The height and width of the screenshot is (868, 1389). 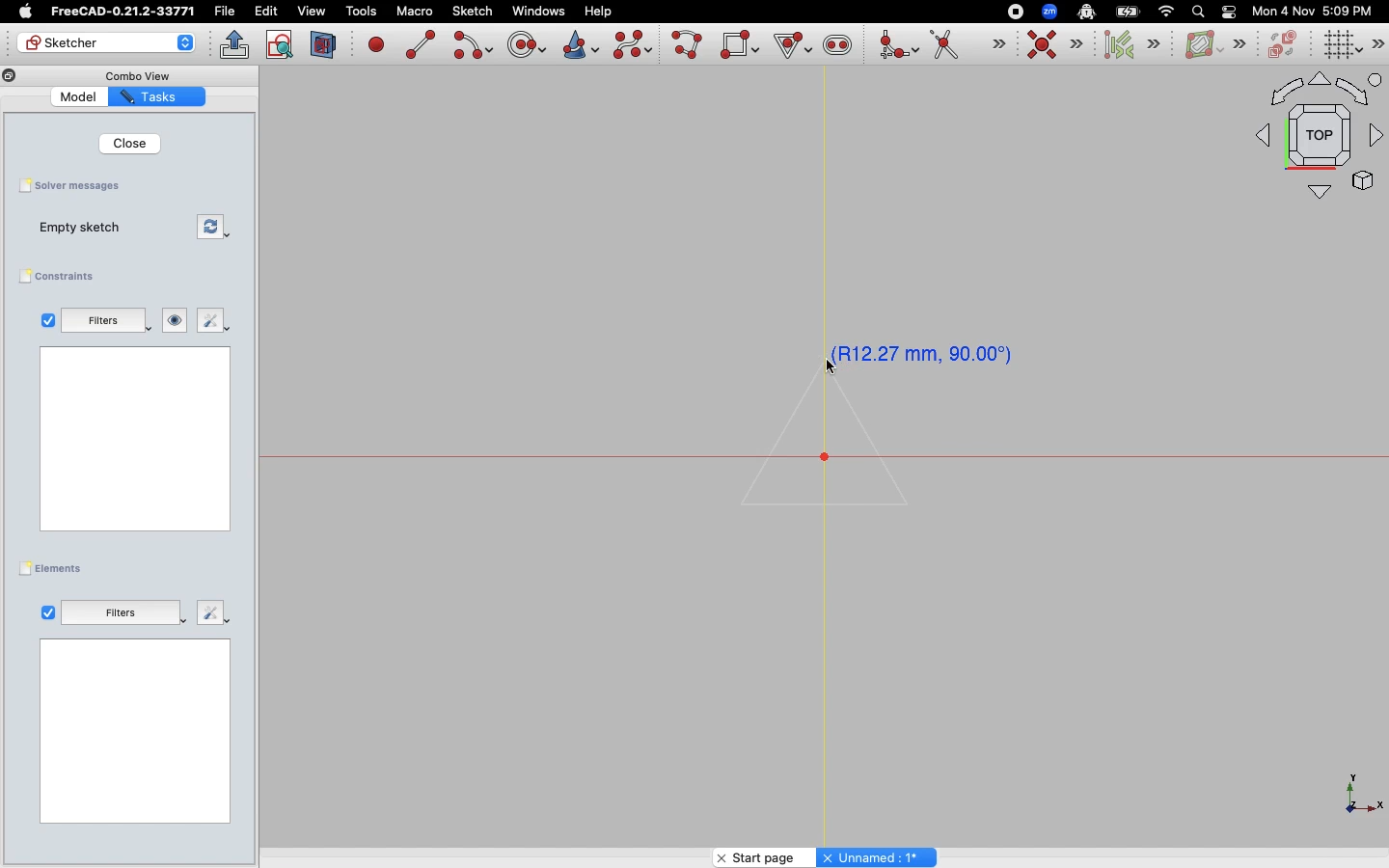 What do you see at coordinates (688, 46) in the screenshot?
I see `Create poly line` at bounding box center [688, 46].